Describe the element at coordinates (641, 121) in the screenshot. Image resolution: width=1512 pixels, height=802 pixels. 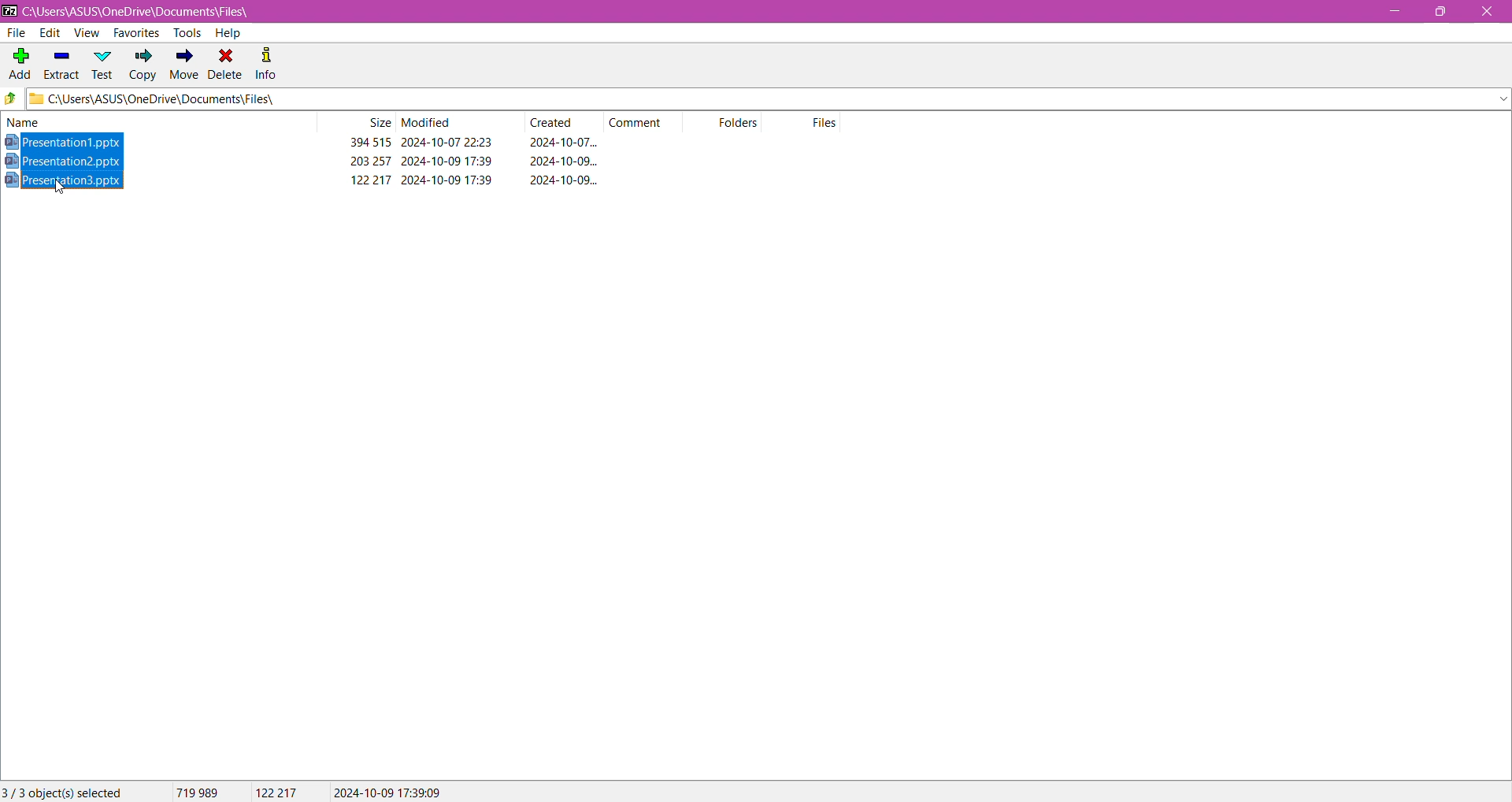
I see `Comment` at that location.